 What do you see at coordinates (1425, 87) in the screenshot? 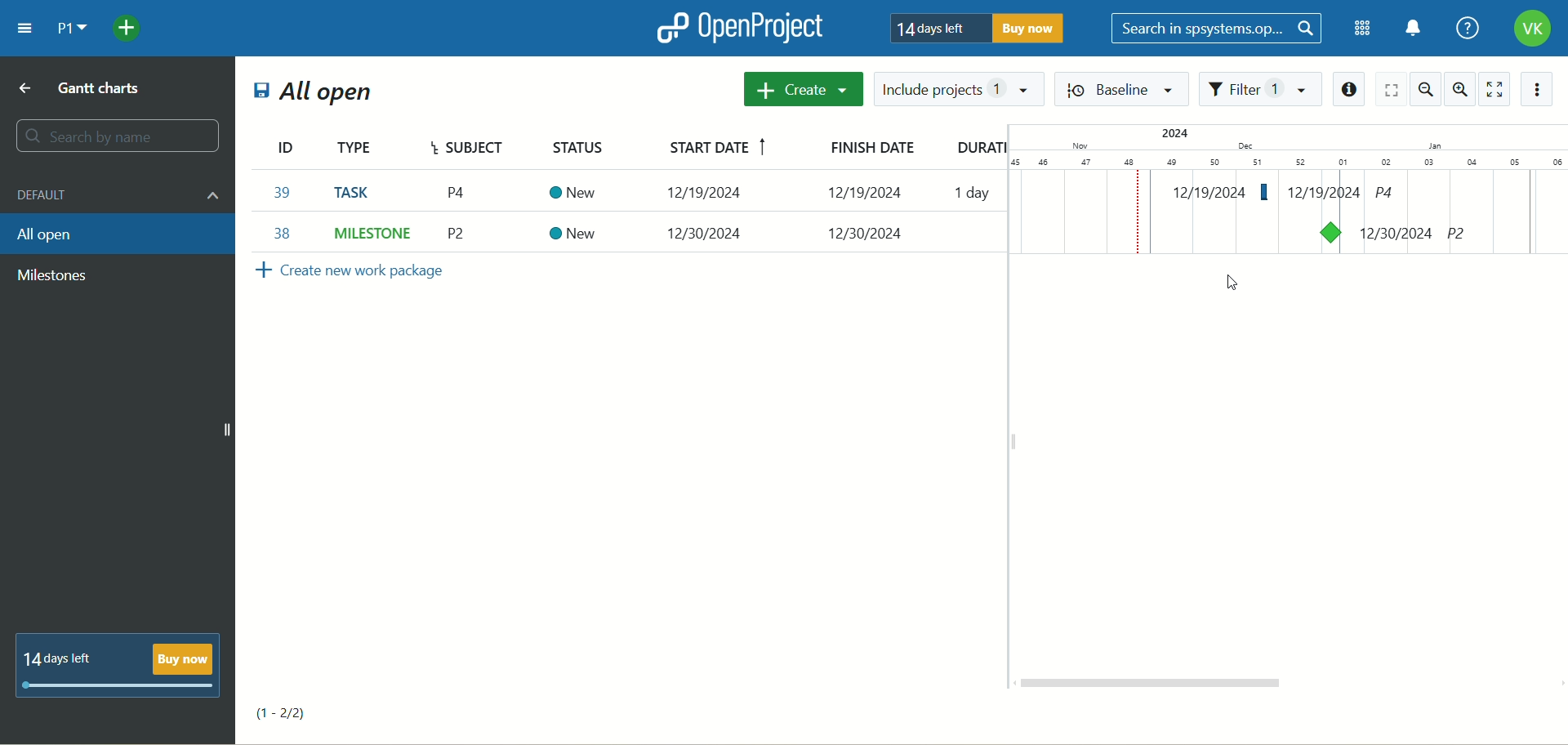
I see `zoom out` at bounding box center [1425, 87].